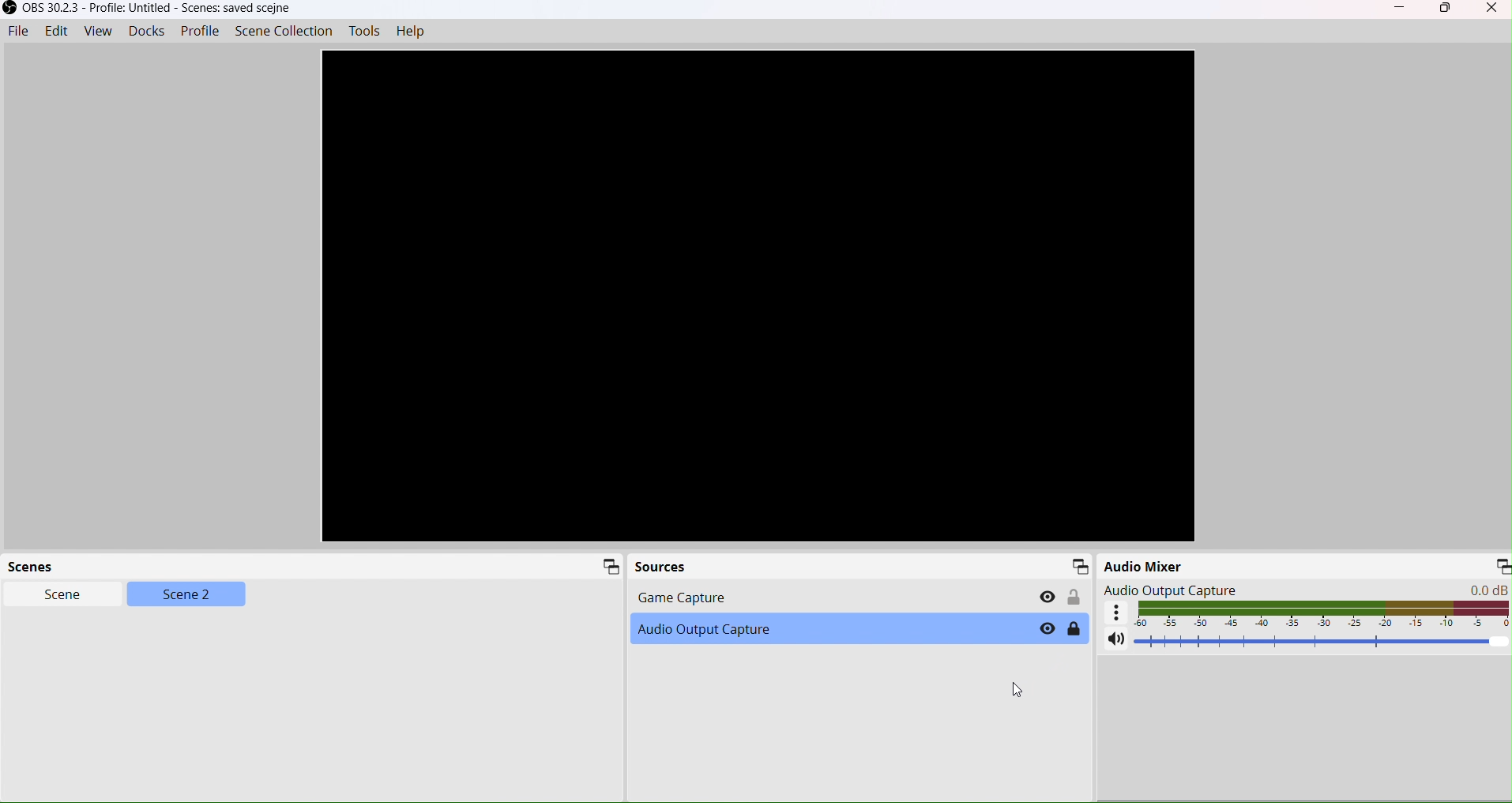  Describe the element at coordinates (1290, 564) in the screenshot. I see `Audio Mixer` at that location.